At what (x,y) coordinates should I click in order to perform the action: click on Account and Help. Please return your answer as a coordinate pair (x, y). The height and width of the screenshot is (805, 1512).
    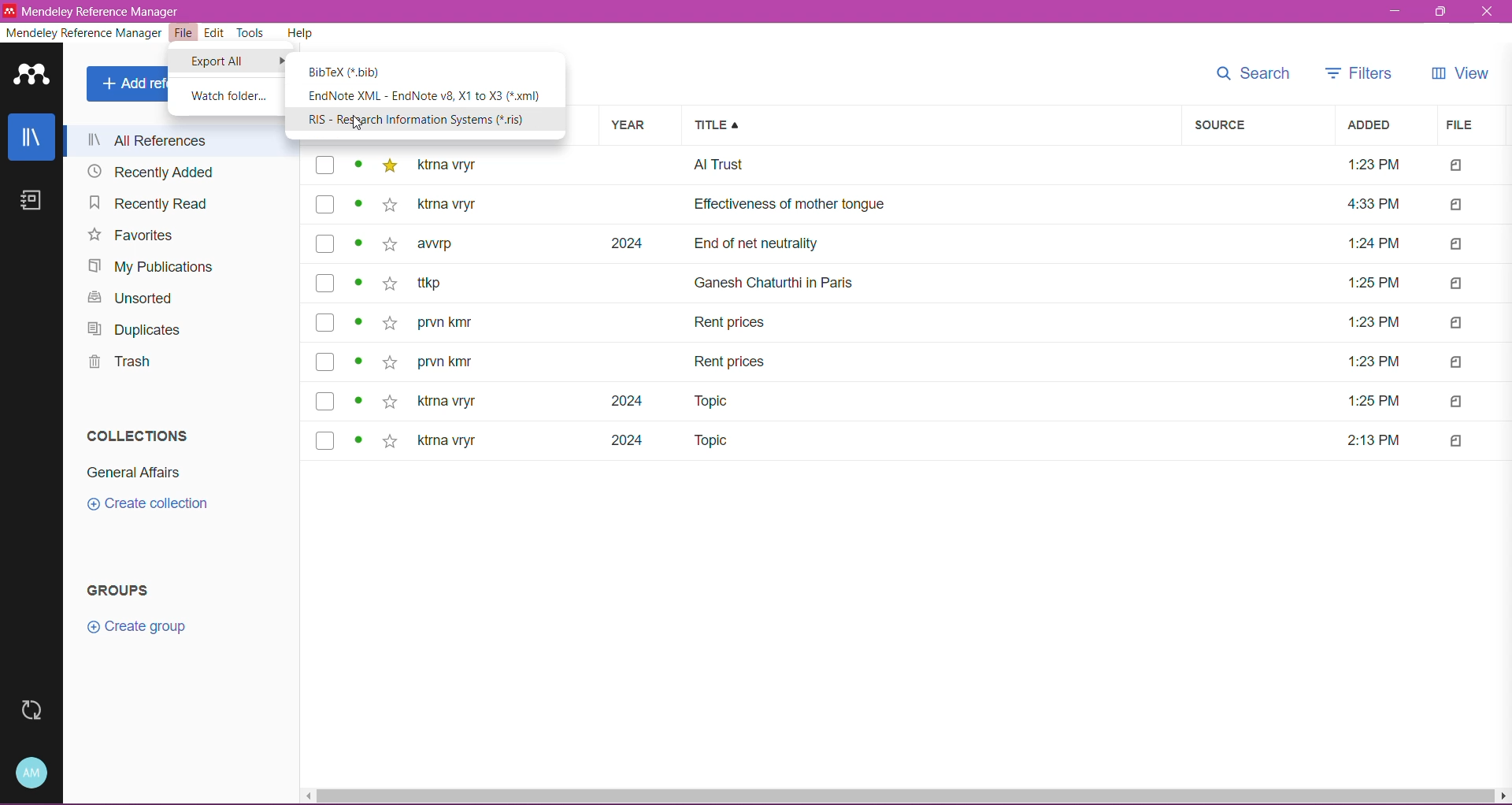
    Looking at the image, I should click on (36, 772).